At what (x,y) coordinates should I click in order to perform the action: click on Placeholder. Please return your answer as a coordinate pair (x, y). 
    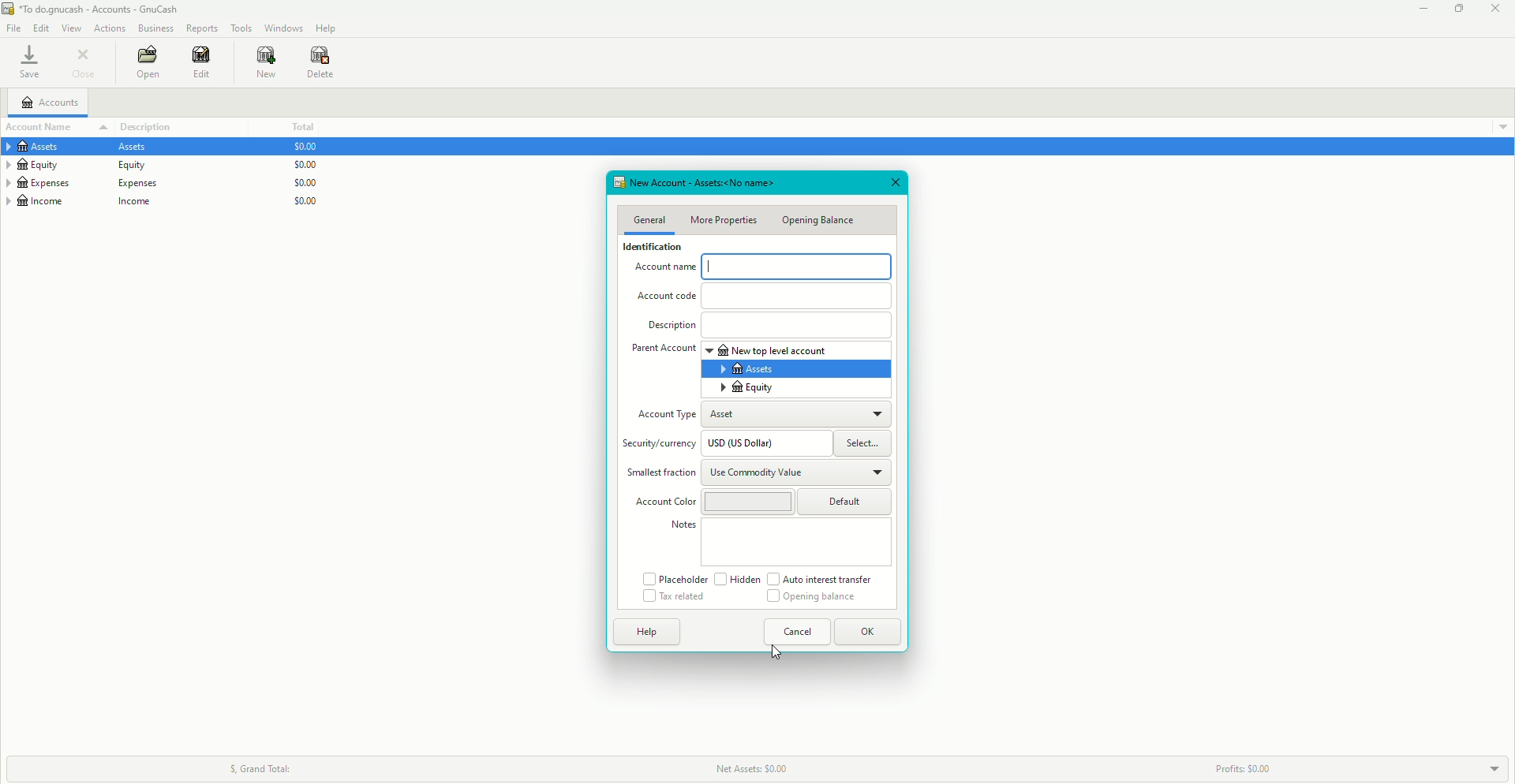
    Looking at the image, I should click on (674, 578).